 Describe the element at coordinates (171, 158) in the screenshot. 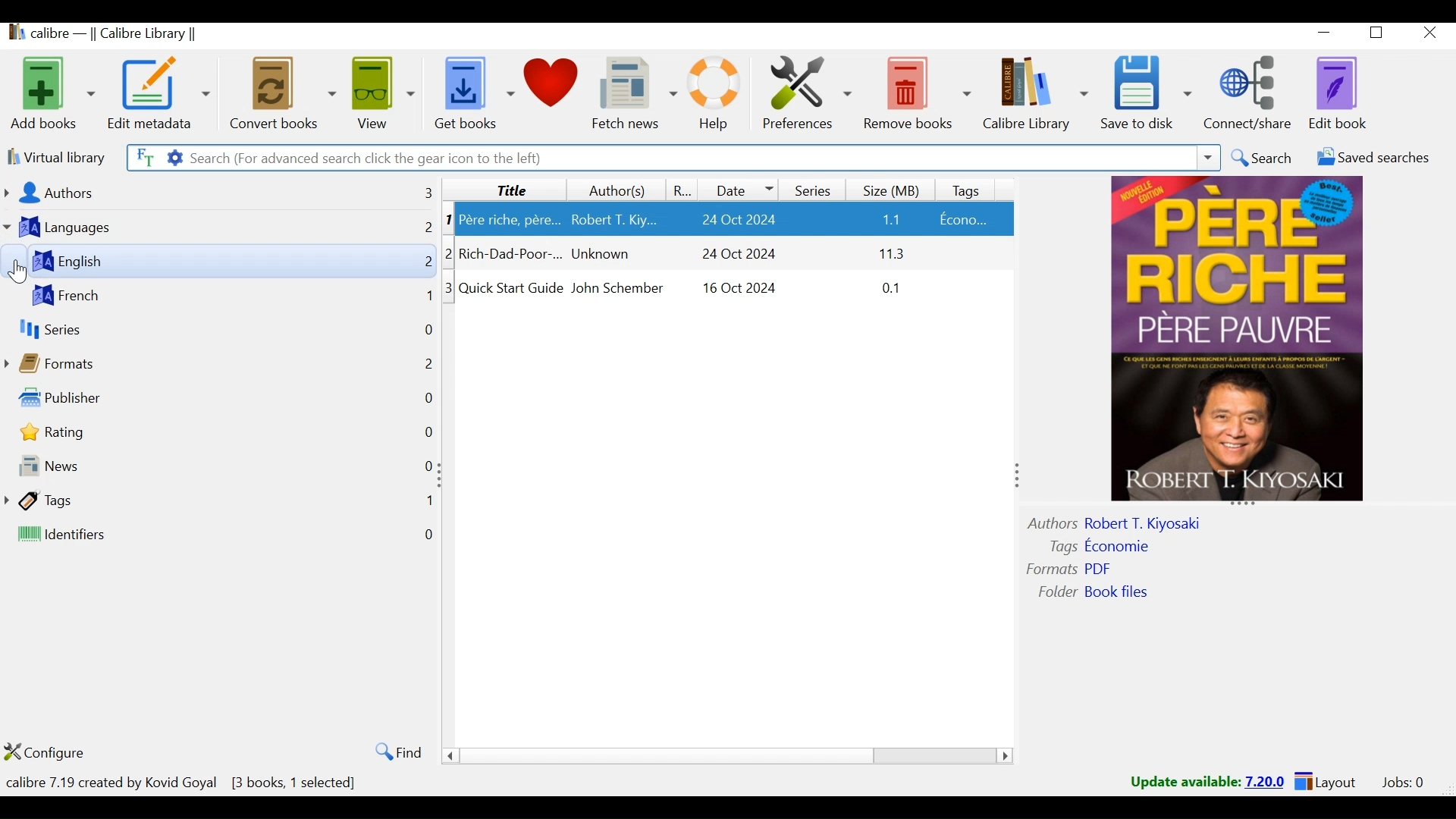

I see `Advanced Search` at that location.